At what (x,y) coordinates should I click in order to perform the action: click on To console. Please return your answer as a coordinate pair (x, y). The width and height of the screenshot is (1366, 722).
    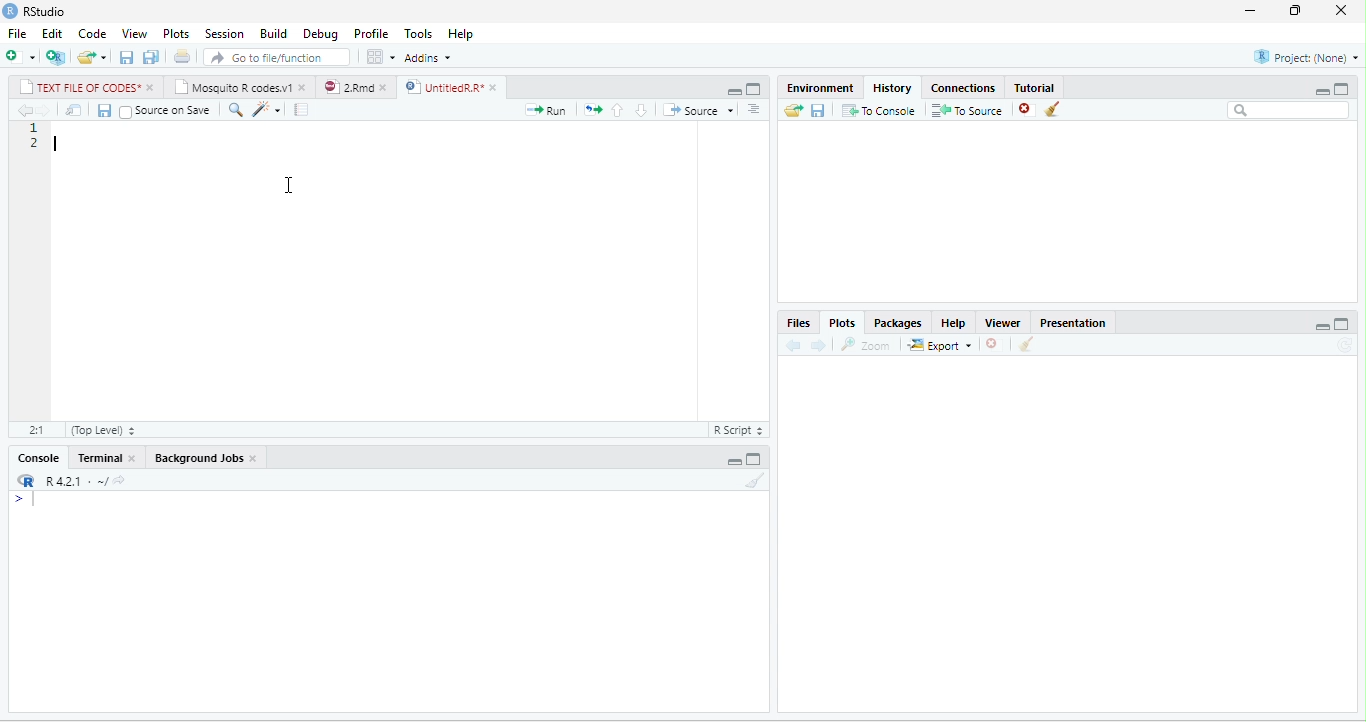
    Looking at the image, I should click on (879, 110).